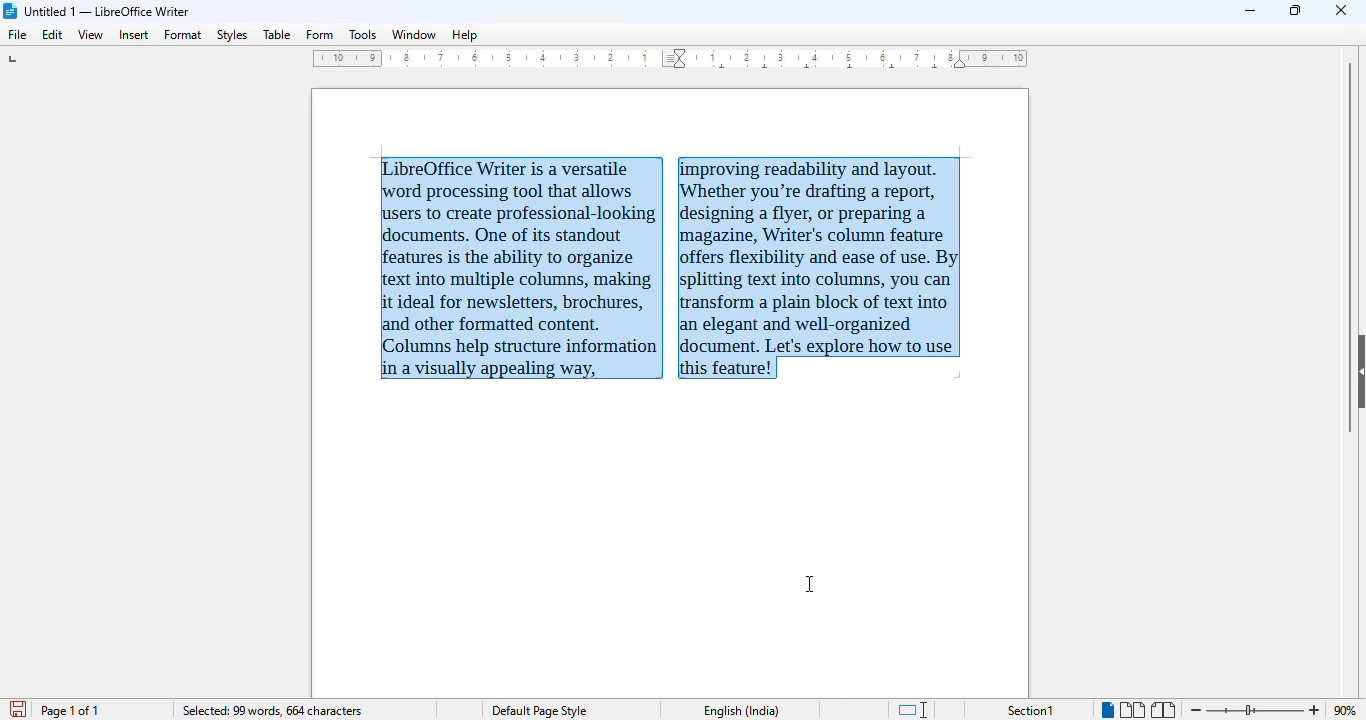 The height and width of the screenshot is (720, 1366). What do you see at coordinates (1256, 710) in the screenshot?
I see `Change zoom level` at bounding box center [1256, 710].